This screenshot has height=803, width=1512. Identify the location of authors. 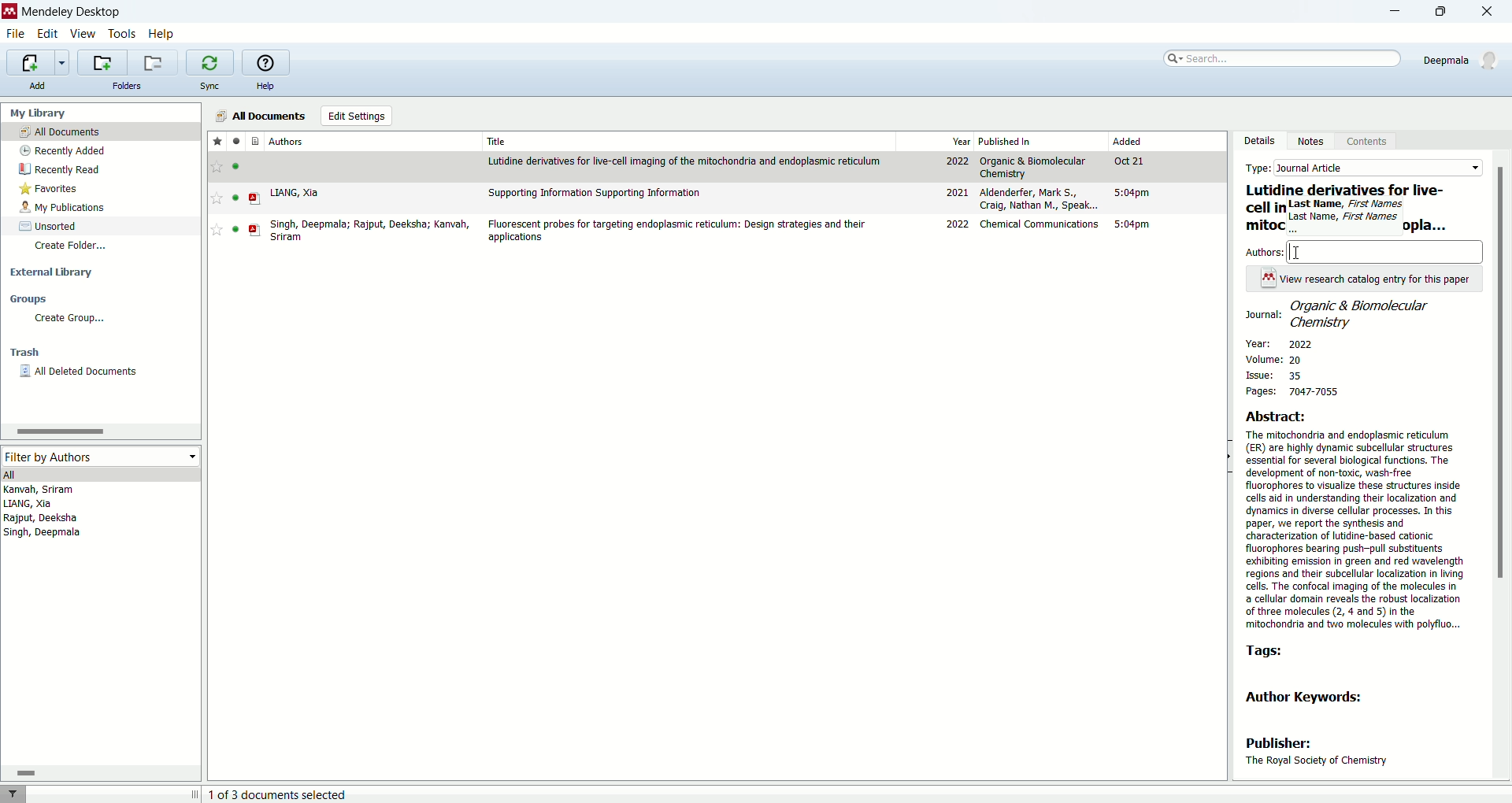
(1267, 251).